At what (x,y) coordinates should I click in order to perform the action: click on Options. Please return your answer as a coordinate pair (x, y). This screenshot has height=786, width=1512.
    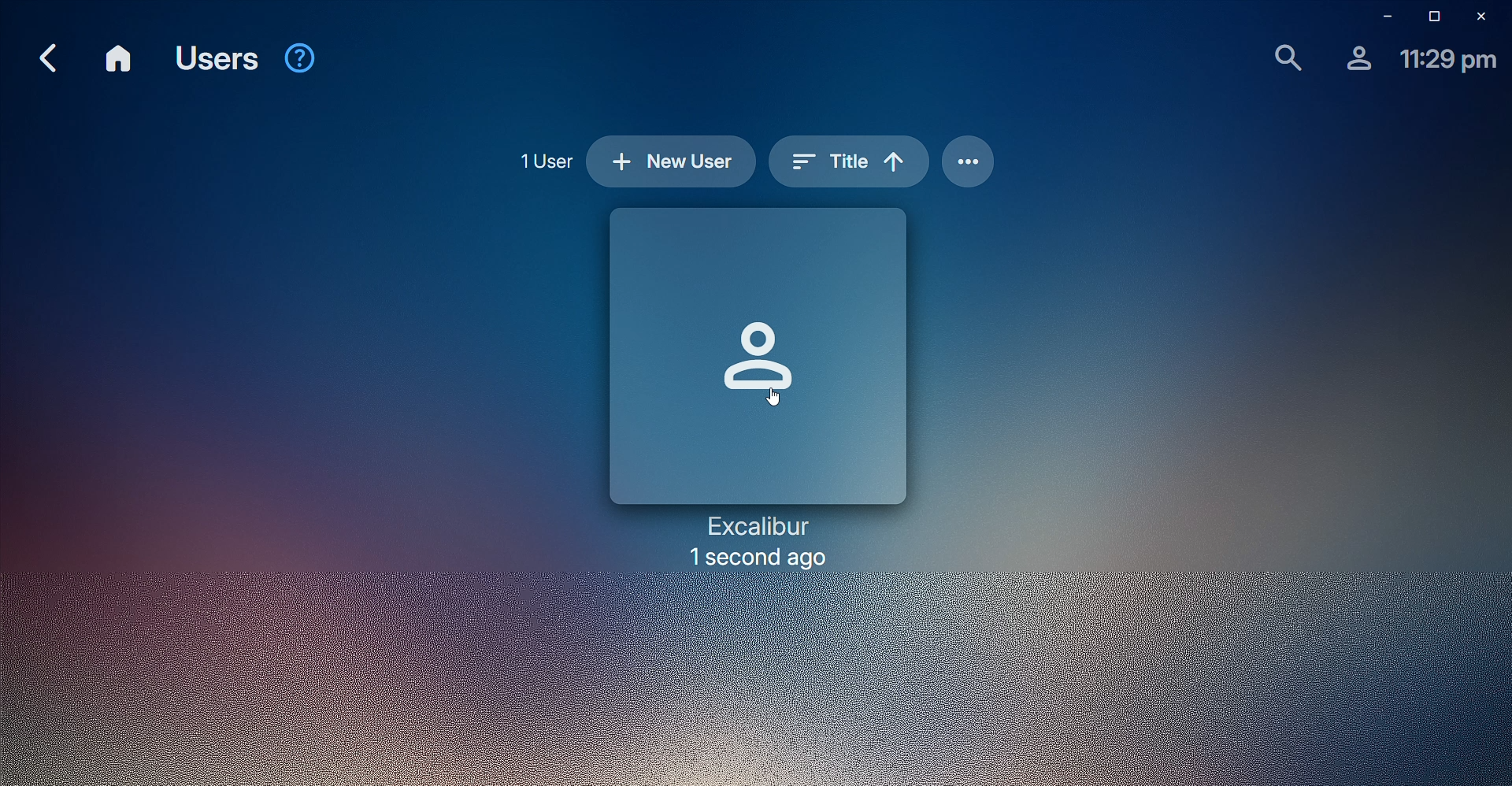
    Looking at the image, I should click on (970, 163).